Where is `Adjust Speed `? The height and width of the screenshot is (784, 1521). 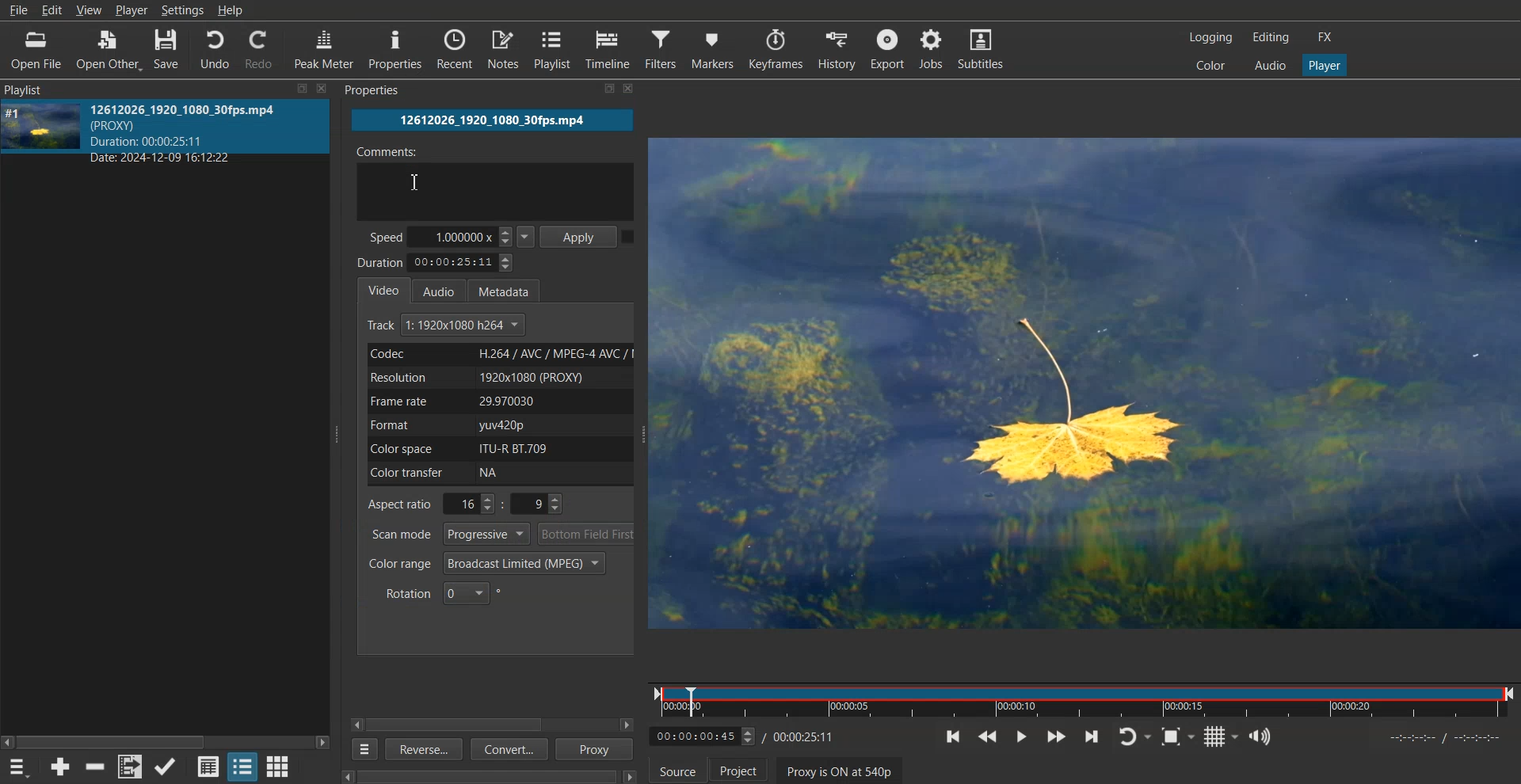 Adjust Speed  is located at coordinates (452, 236).